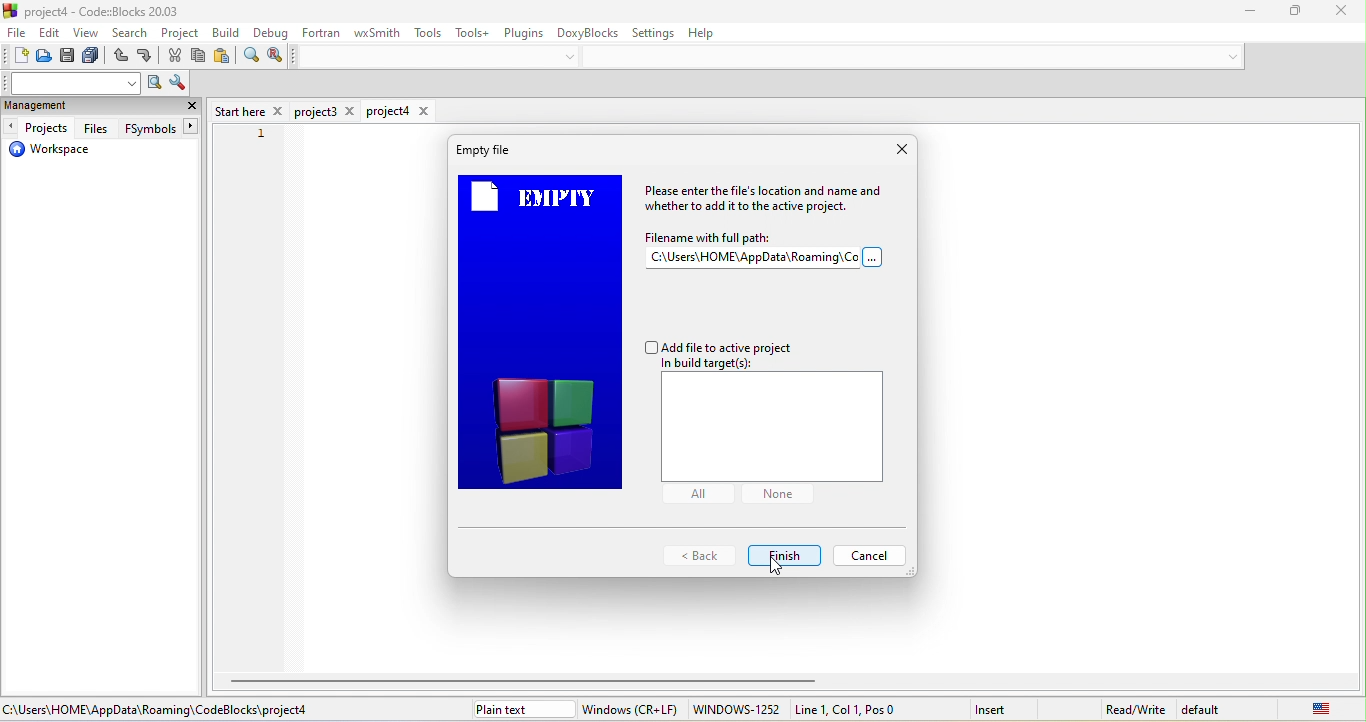  What do you see at coordinates (399, 111) in the screenshot?
I see `project4` at bounding box center [399, 111].